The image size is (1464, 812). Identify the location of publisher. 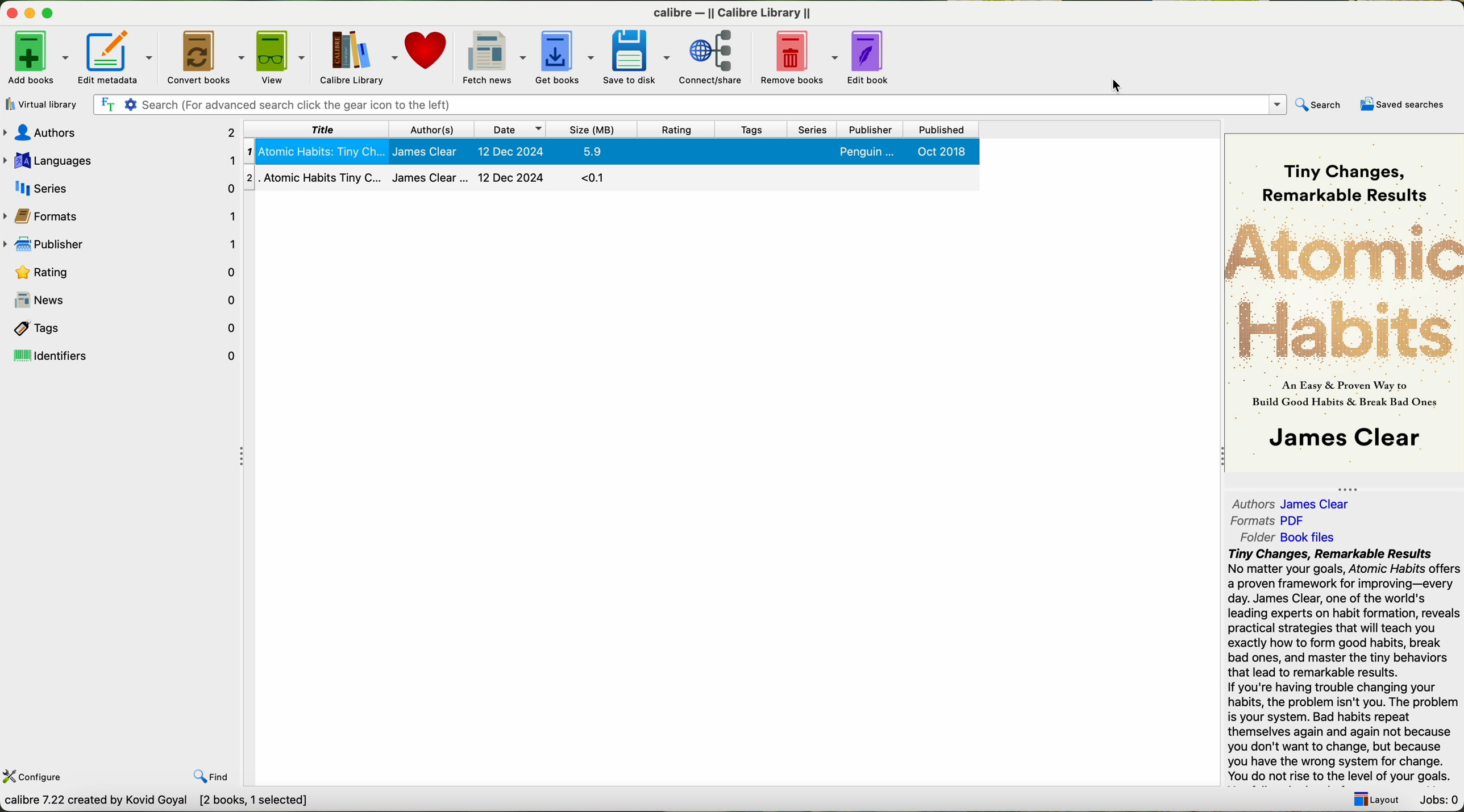
(120, 245).